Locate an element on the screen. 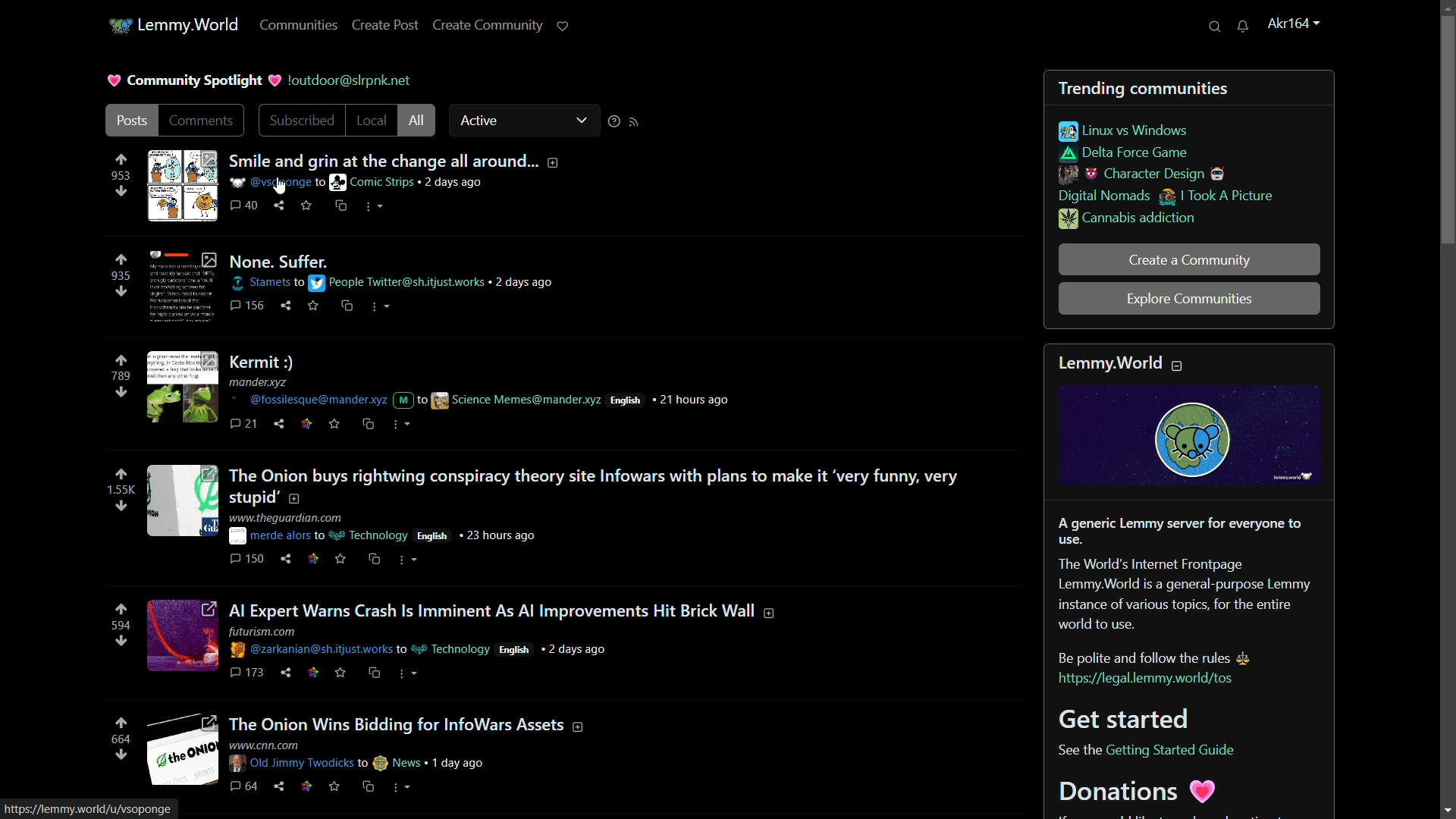  share is located at coordinates (289, 306).